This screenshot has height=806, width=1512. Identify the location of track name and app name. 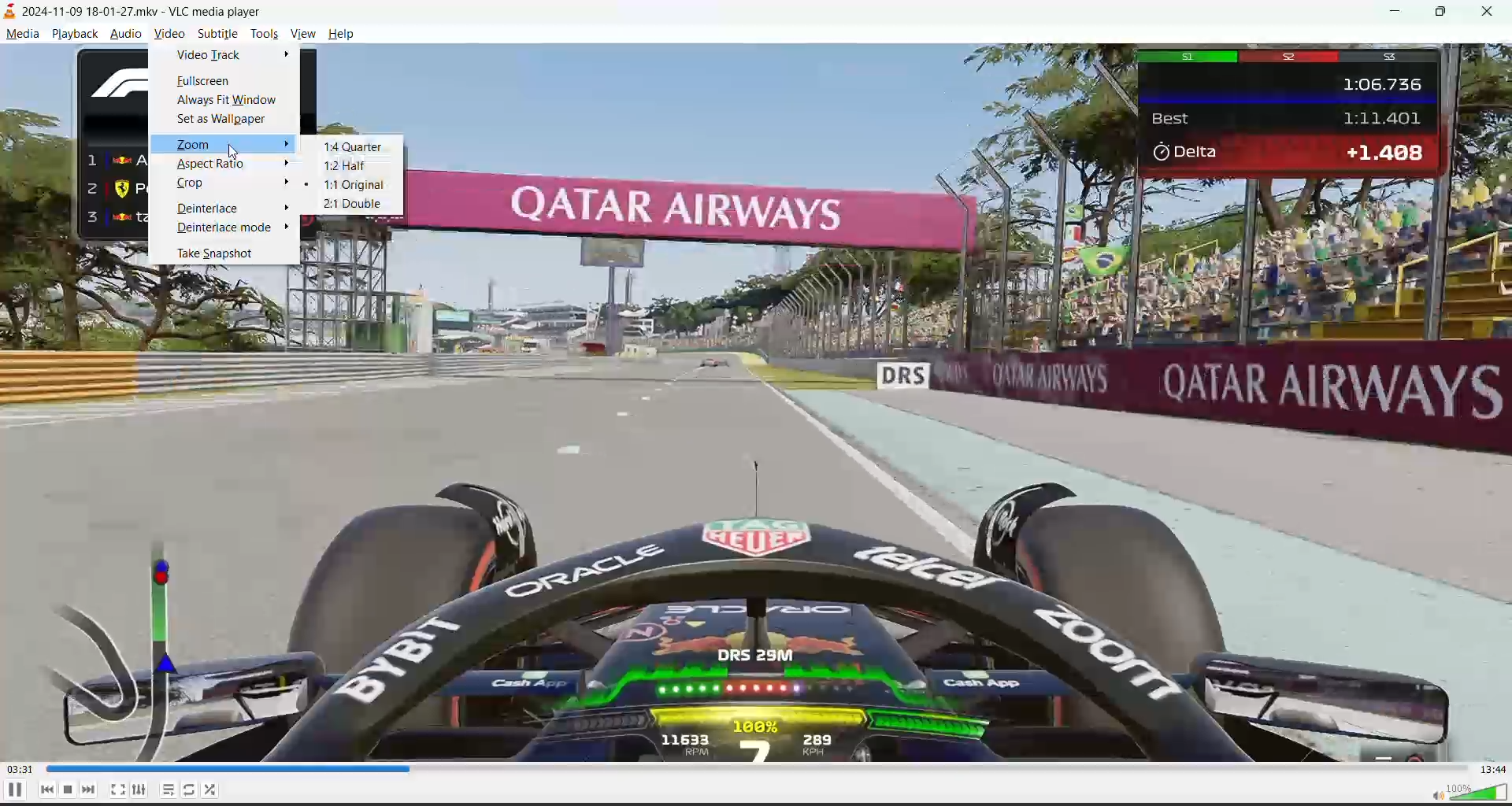
(147, 9).